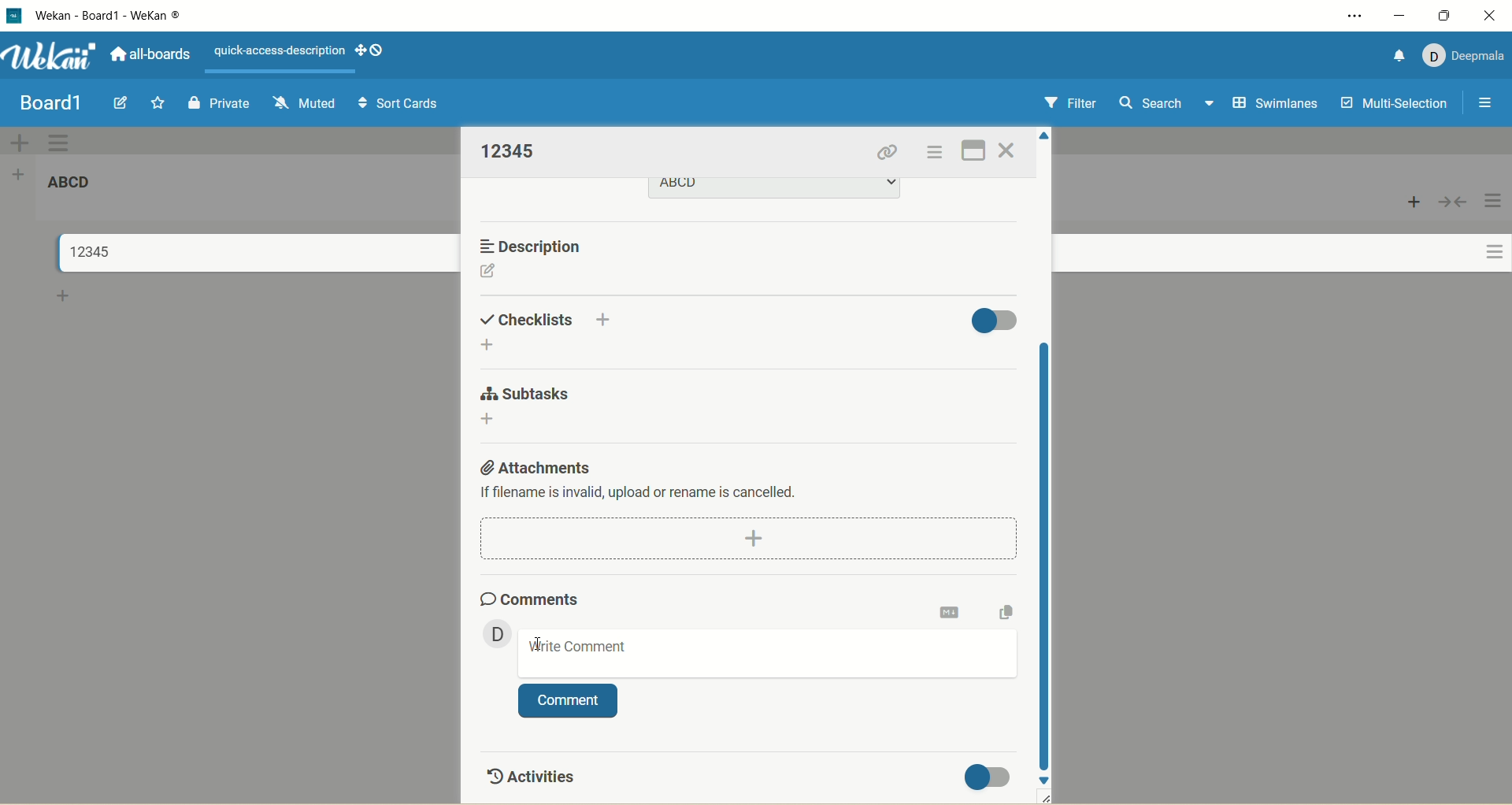 Image resolution: width=1512 pixels, height=805 pixels. Describe the element at coordinates (60, 143) in the screenshot. I see `swimlane actions` at that location.